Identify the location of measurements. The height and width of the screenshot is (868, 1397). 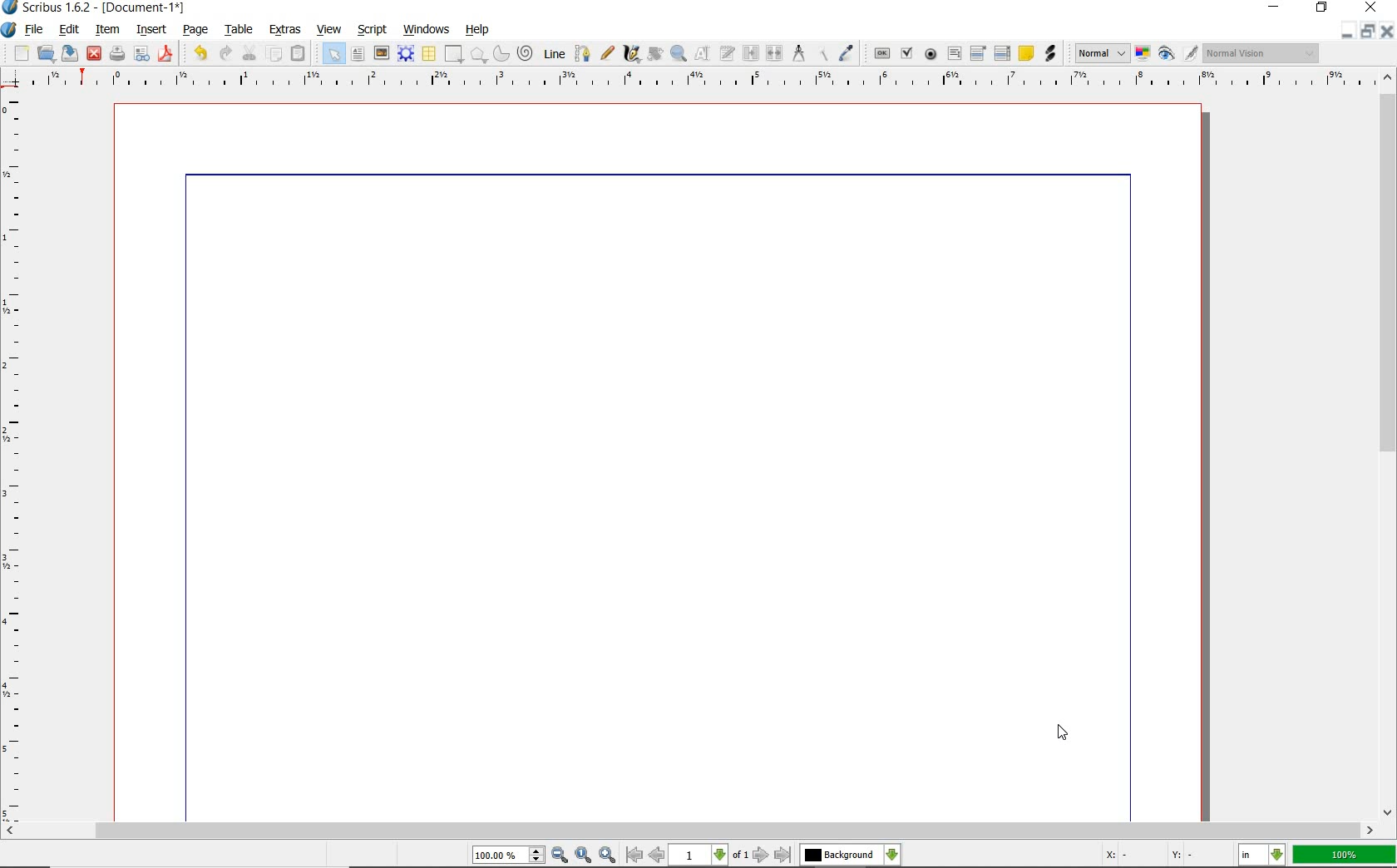
(797, 53).